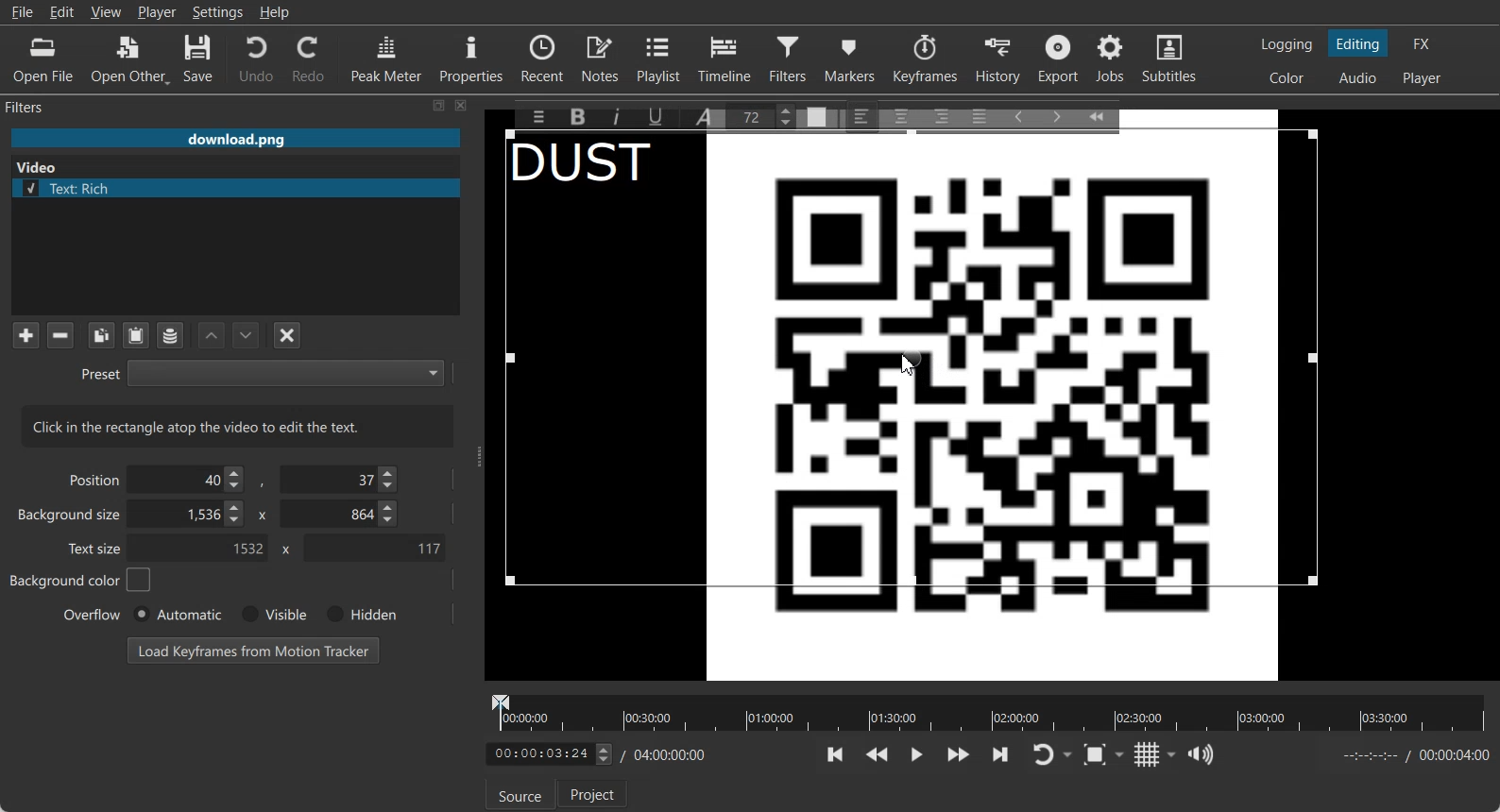 This screenshot has width=1500, height=812. I want to click on Drop down box, so click(1123, 753).